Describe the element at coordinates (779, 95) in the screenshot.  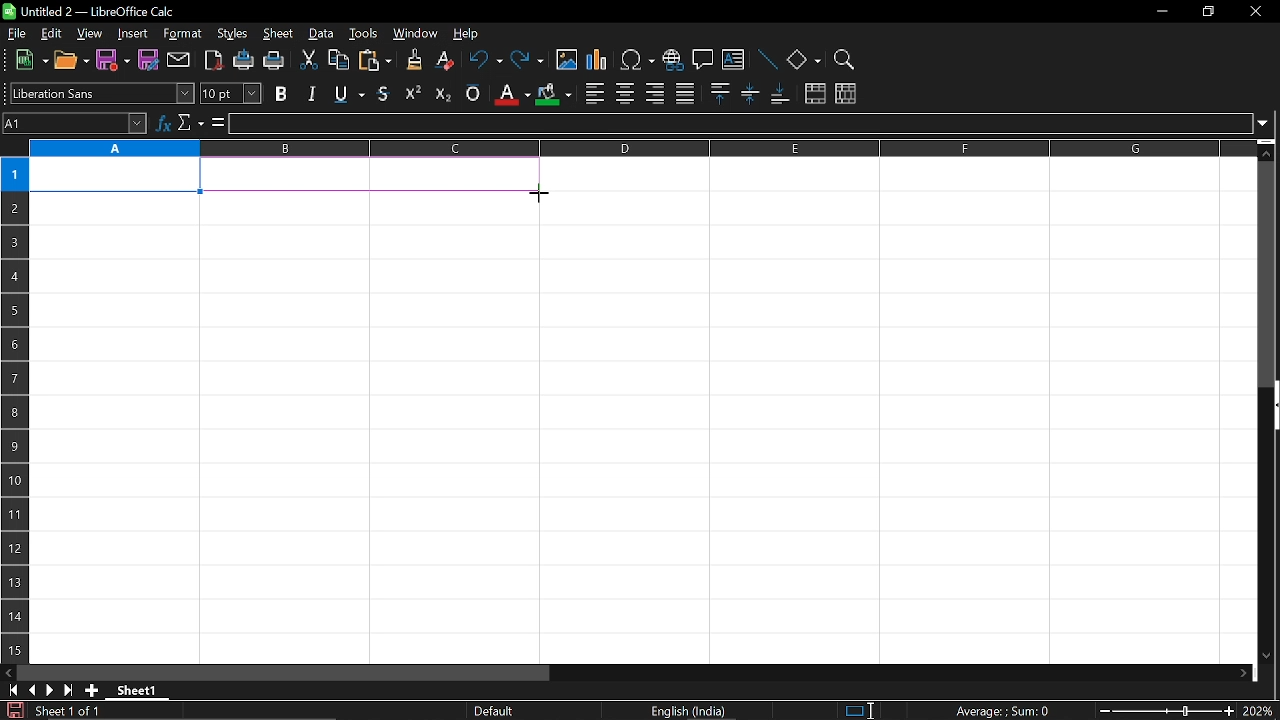
I see `align bottom` at that location.